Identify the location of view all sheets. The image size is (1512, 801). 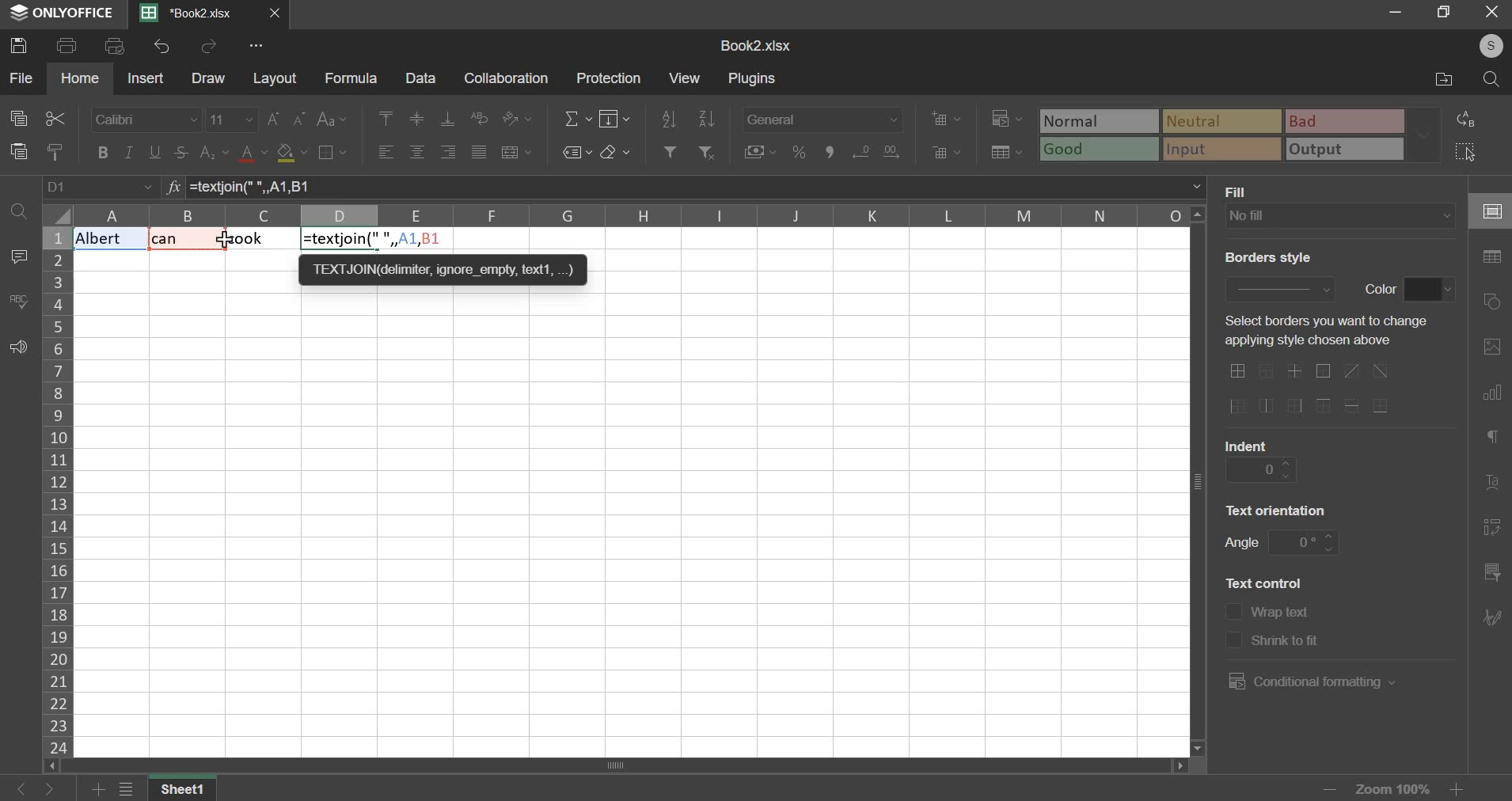
(135, 790).